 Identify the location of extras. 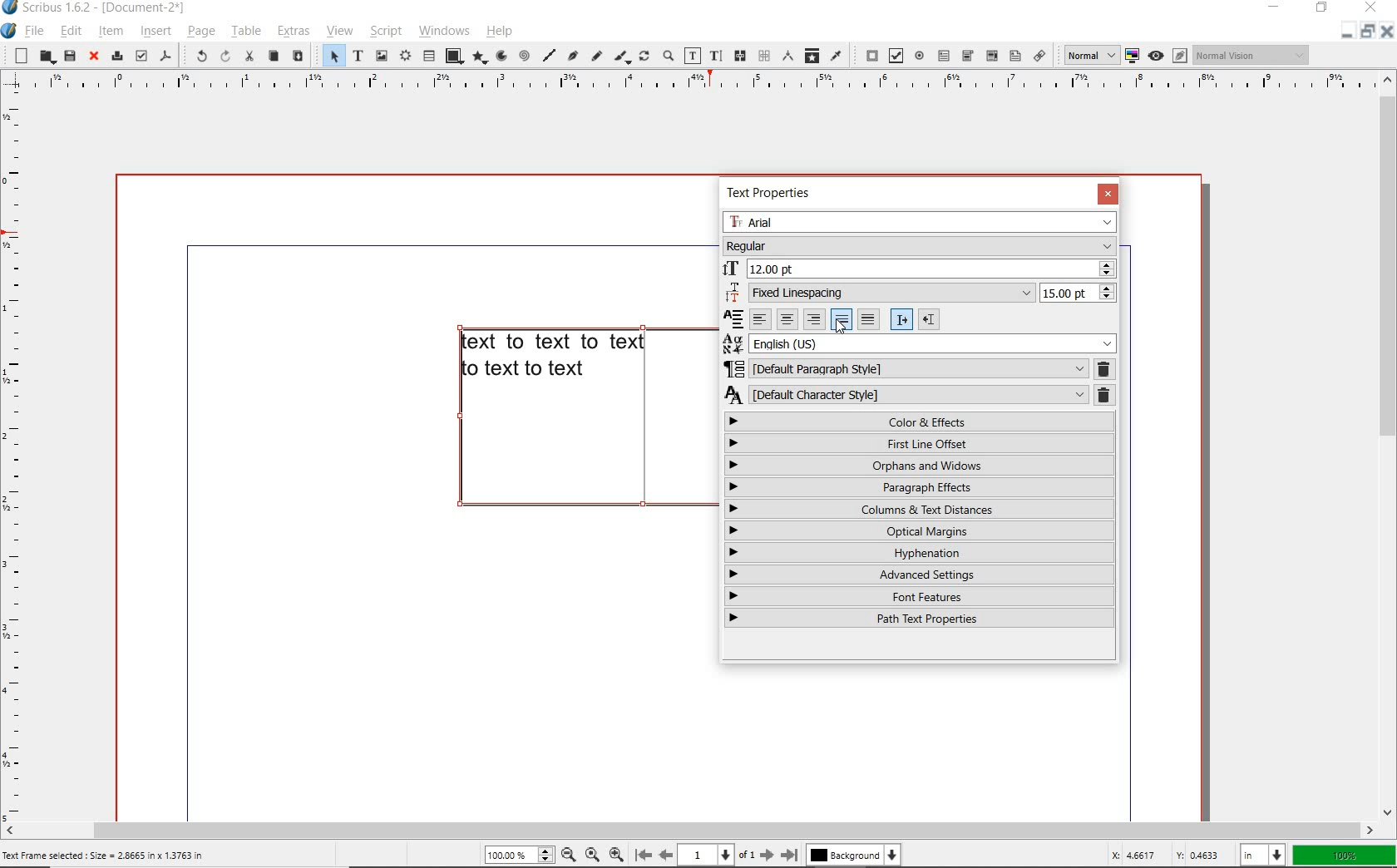
(294, 32).